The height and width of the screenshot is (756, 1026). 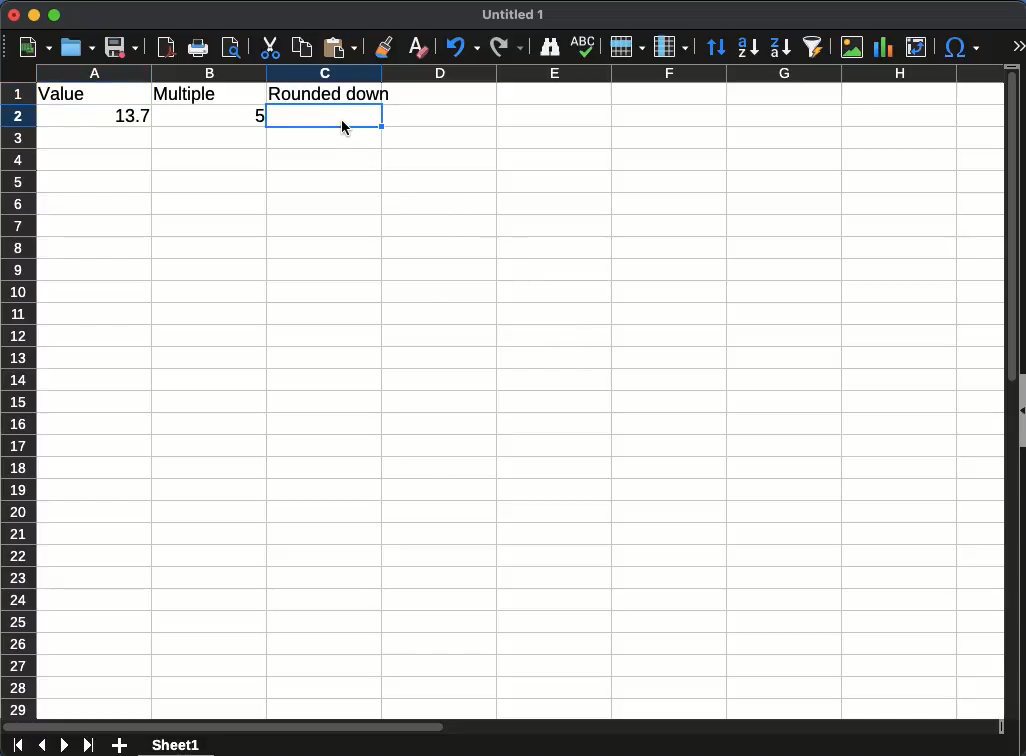 What do you see at coordinates (119, 744) in the screenshot?
I see `add sheet` at bounding box center [119, 744].